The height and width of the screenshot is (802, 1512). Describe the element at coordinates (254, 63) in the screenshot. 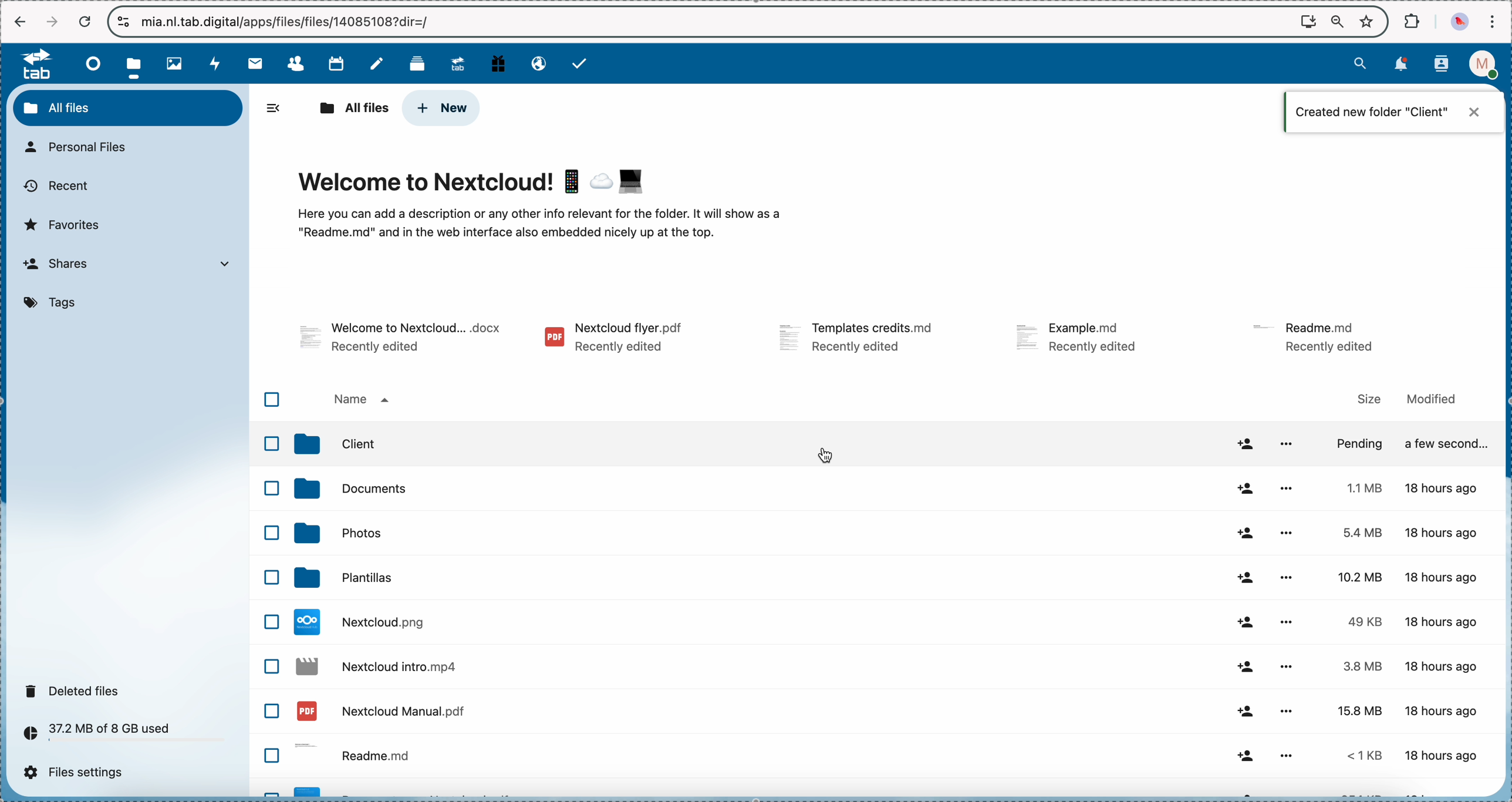

I see `mail` at that location.